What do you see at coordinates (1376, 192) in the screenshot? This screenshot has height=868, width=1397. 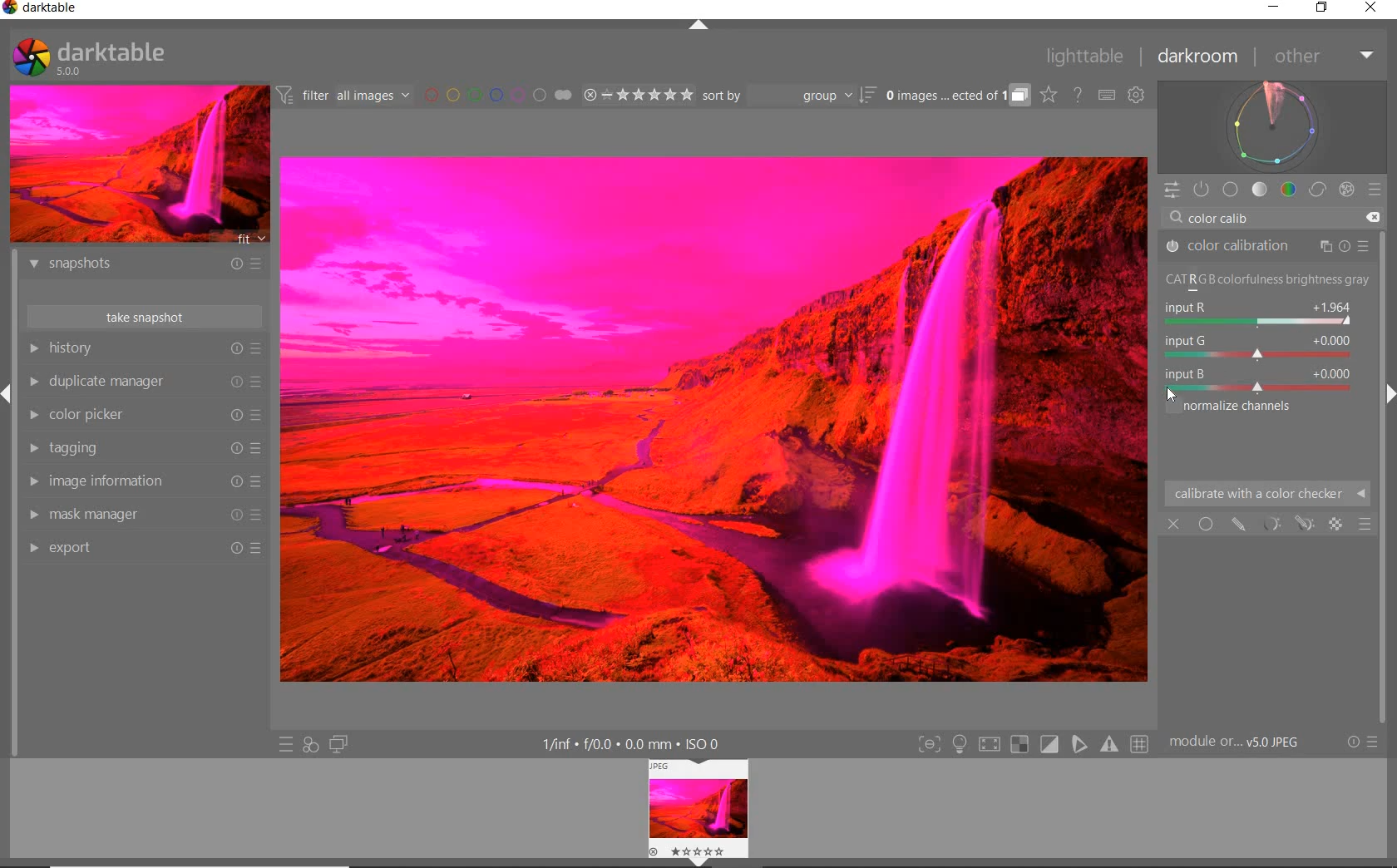 I see `preset` at bounding box center [1376, 192].